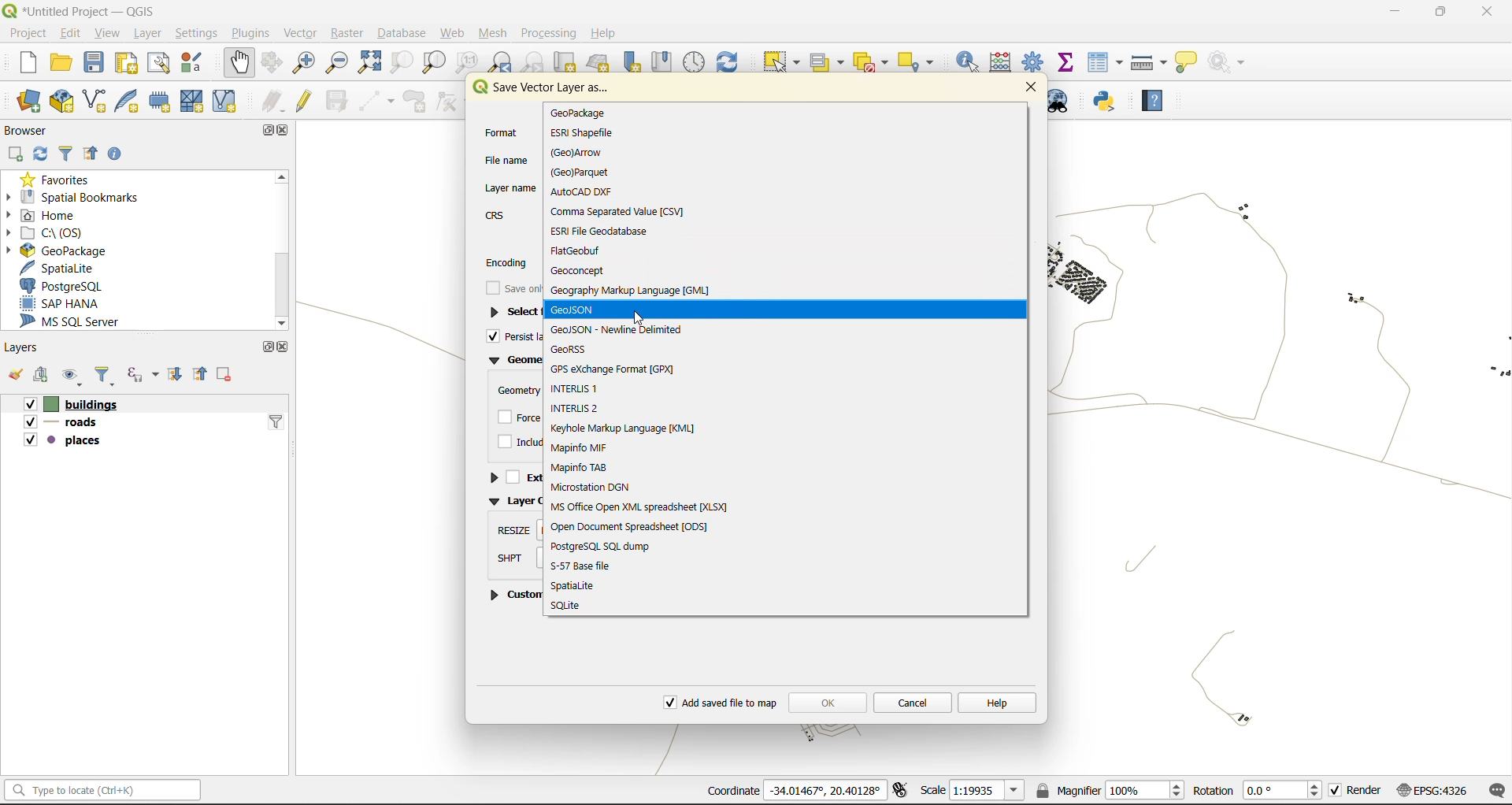 This screenshot has height=805, width=1512. I want to click on zoom last, so click(502, 61).